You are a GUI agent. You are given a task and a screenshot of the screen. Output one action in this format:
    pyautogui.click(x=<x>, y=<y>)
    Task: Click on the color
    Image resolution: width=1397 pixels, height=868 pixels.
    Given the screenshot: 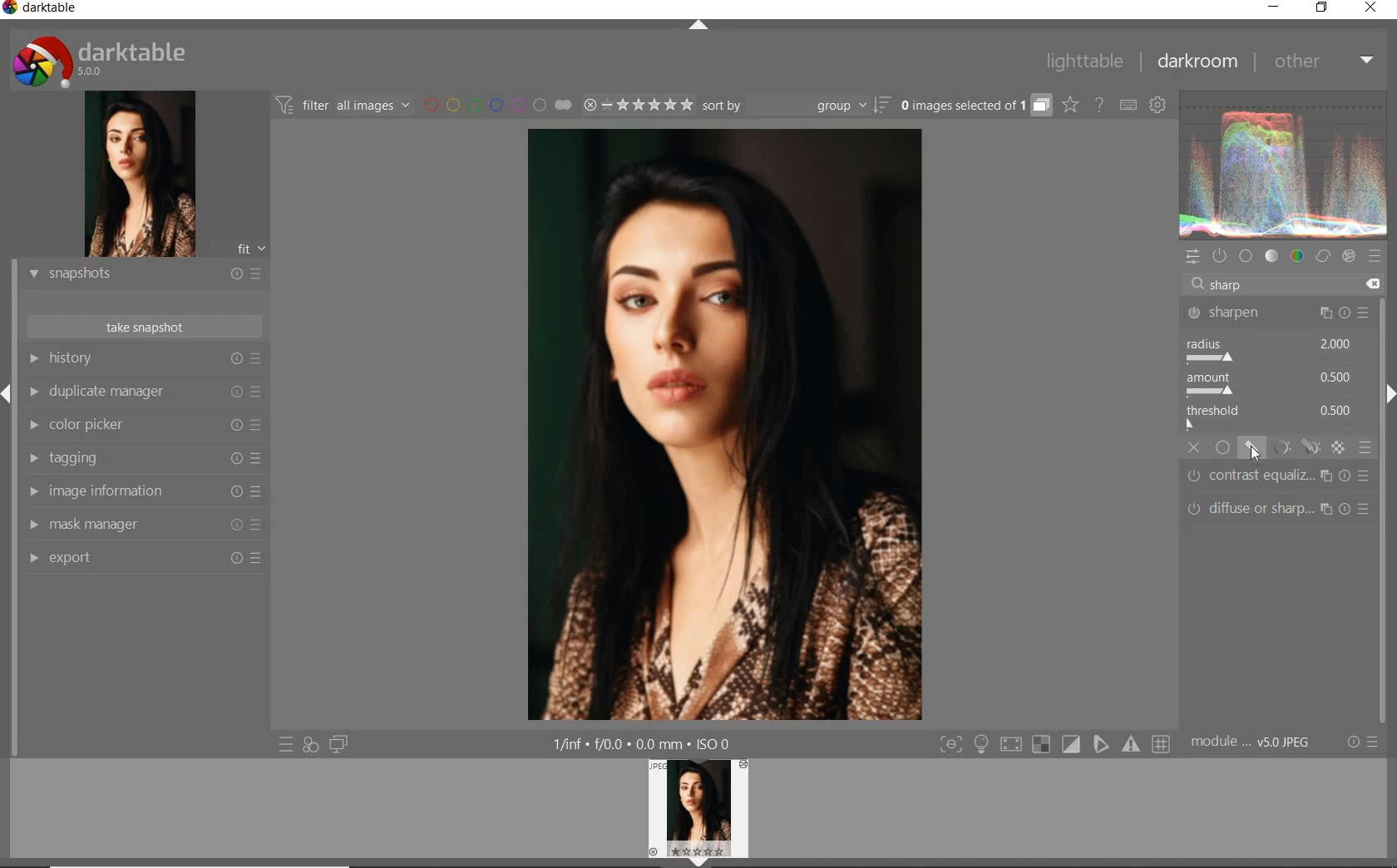 What is the action you would take?
    pyautogui.click(x=1298, y=257)
    